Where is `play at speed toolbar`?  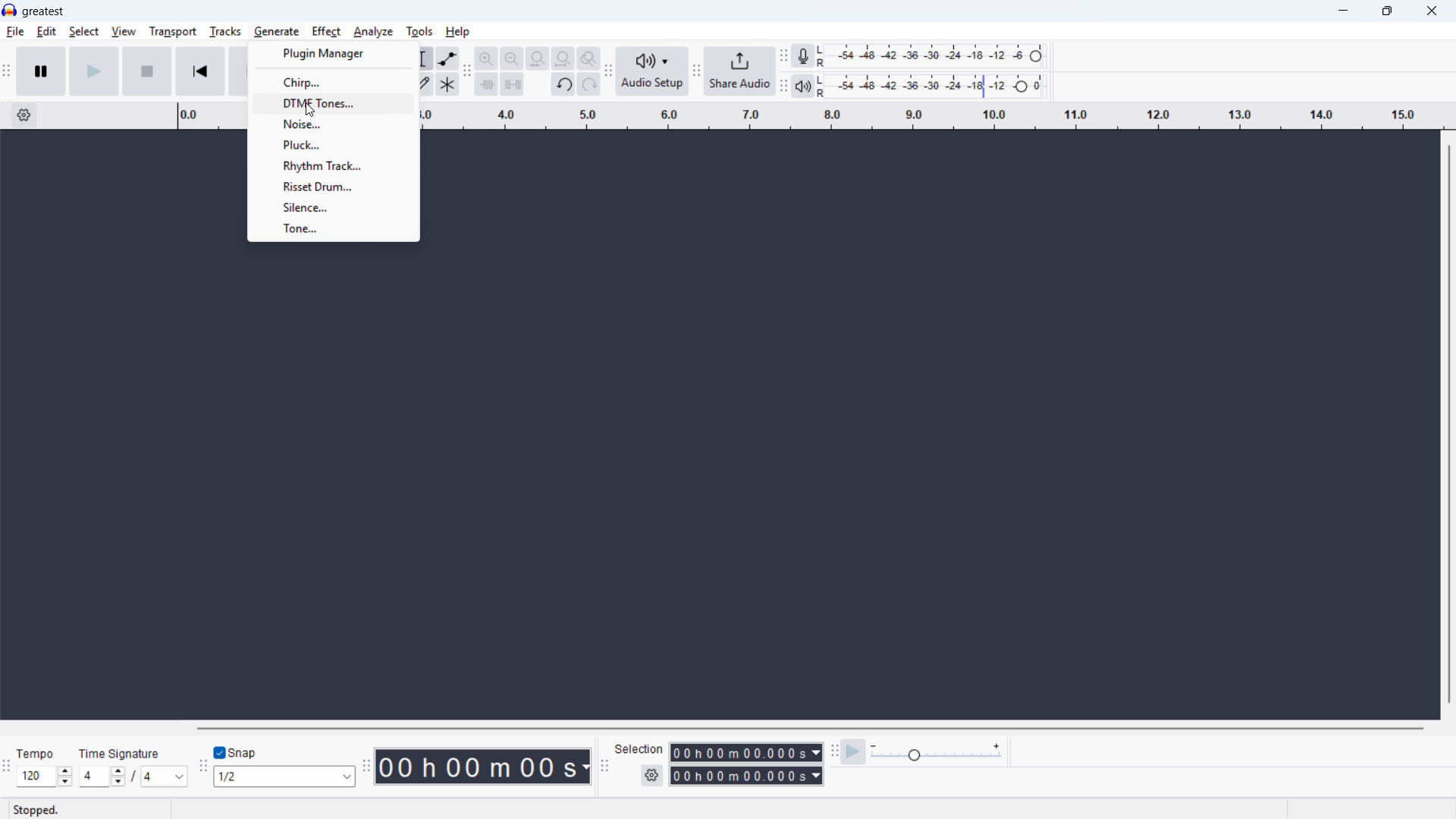
play at speed toolbar is located at coordinates (835, 752).